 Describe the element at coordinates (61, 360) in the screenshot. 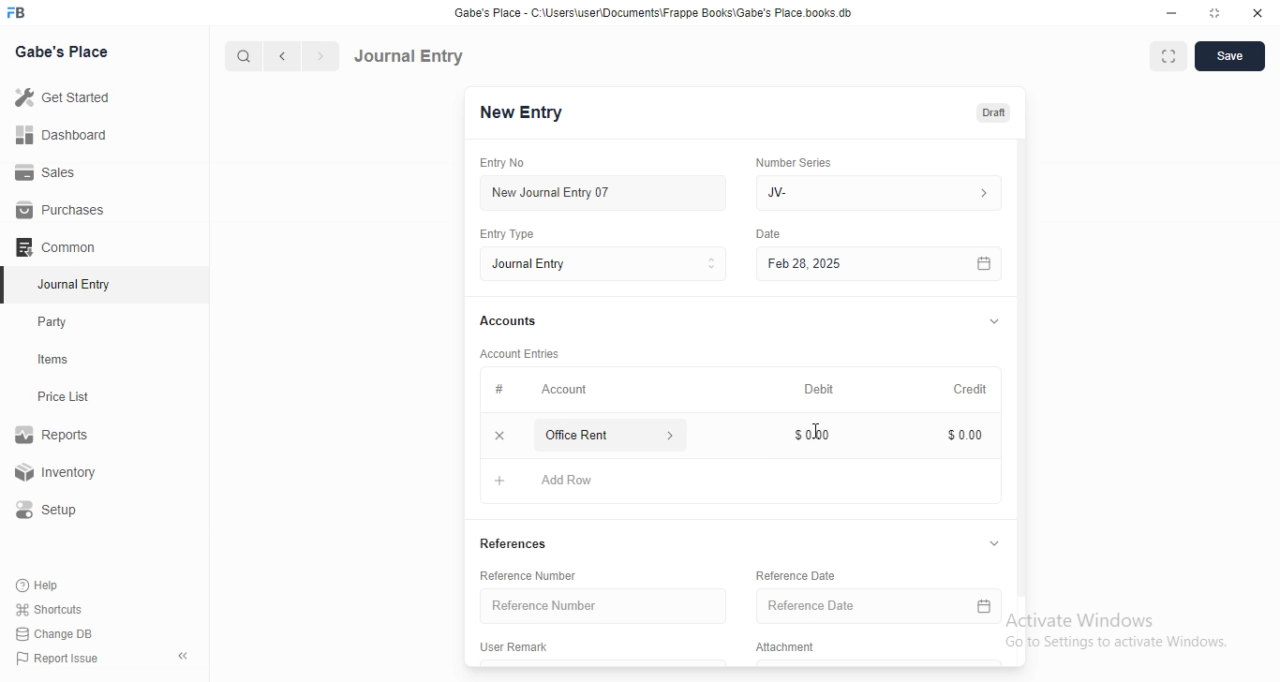

I see `tems` at that location.